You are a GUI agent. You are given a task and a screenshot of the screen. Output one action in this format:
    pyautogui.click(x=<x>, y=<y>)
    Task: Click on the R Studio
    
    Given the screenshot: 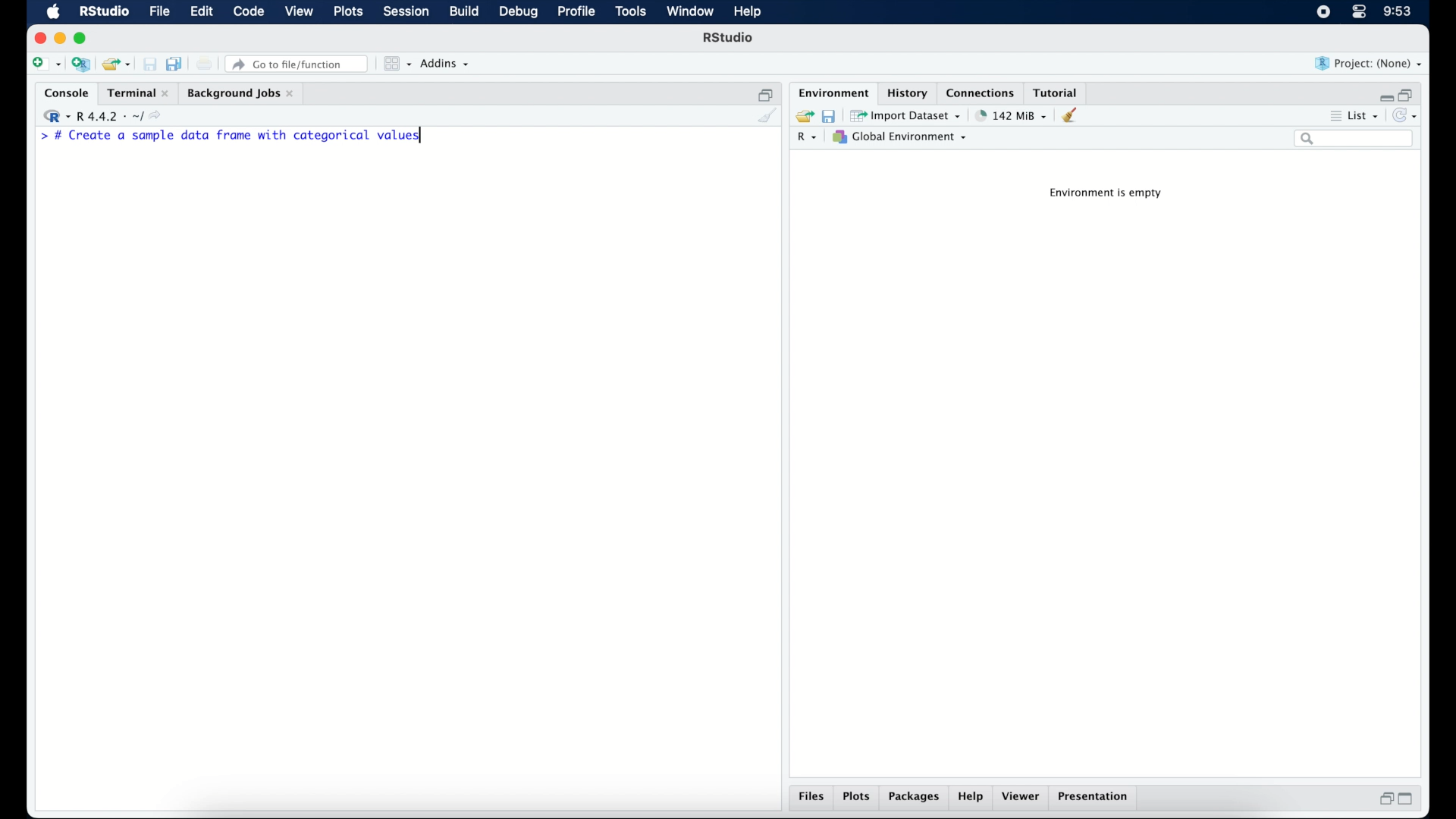 What is the action you would take?
    pyautogui.click(x=730, y=38)
    